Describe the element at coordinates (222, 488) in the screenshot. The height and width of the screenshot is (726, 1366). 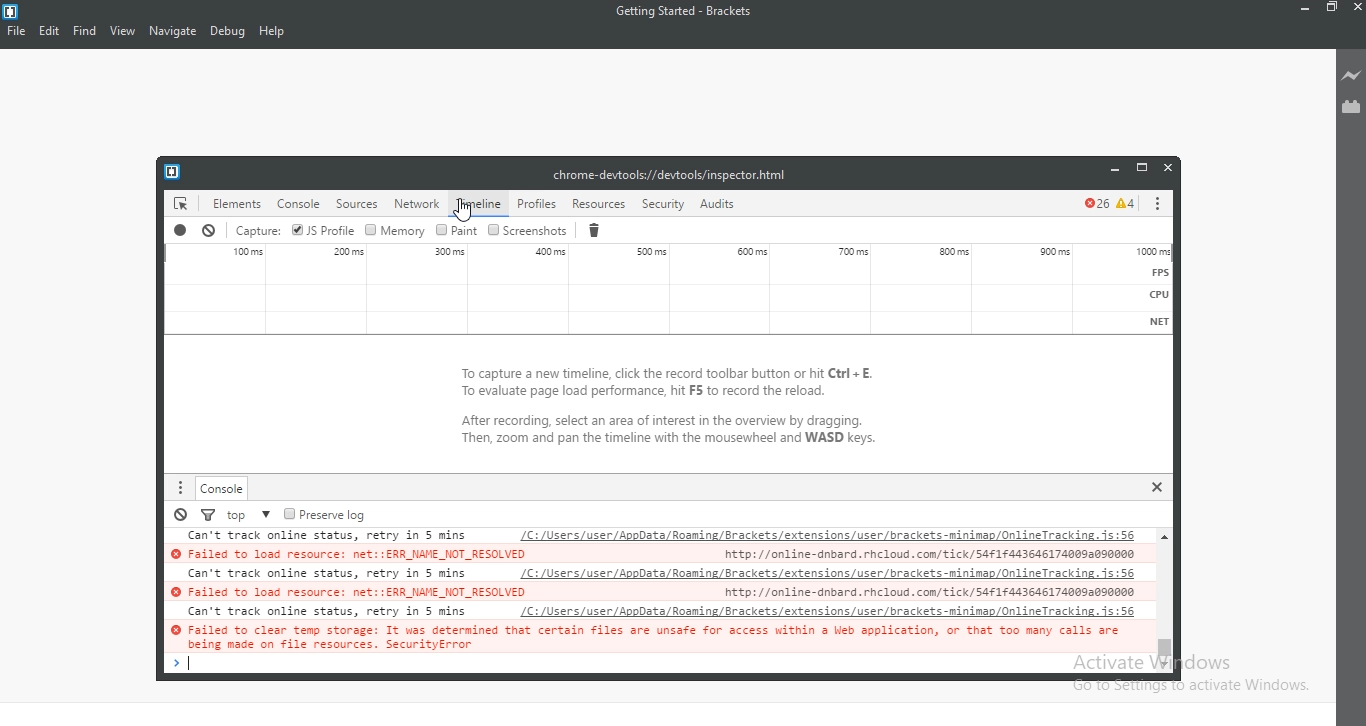
I see `Console` at that location.